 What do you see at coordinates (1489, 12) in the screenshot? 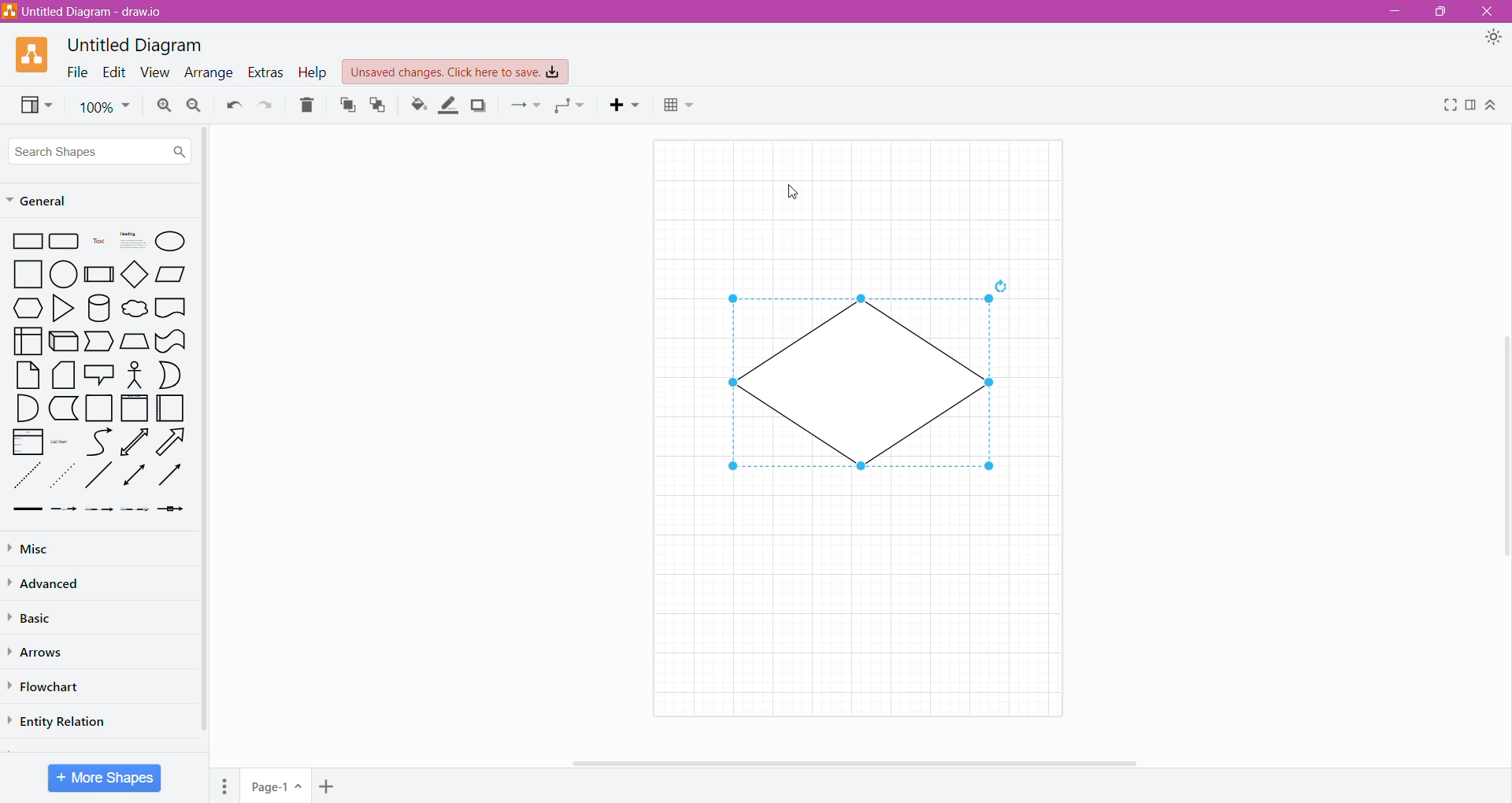
I see `Close` at bounding box center [1489, 12].